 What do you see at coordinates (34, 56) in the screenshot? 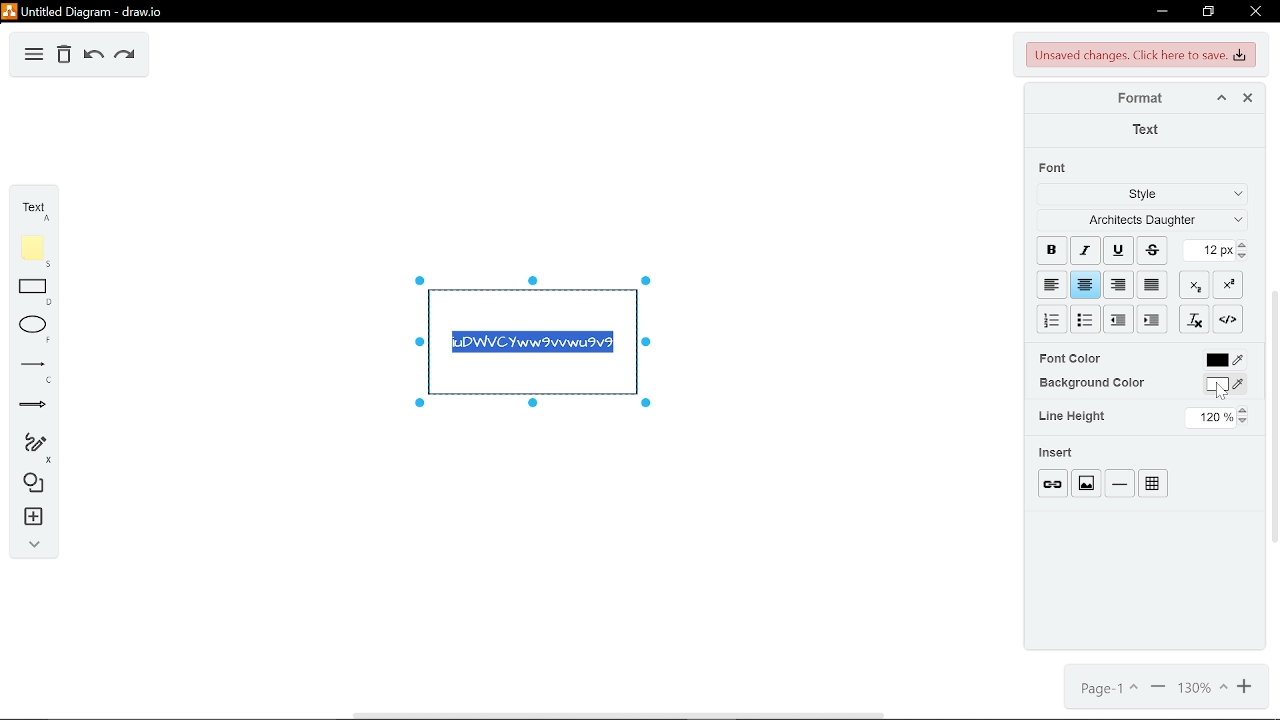
I see `diagram` at bounding box center [34, 56].